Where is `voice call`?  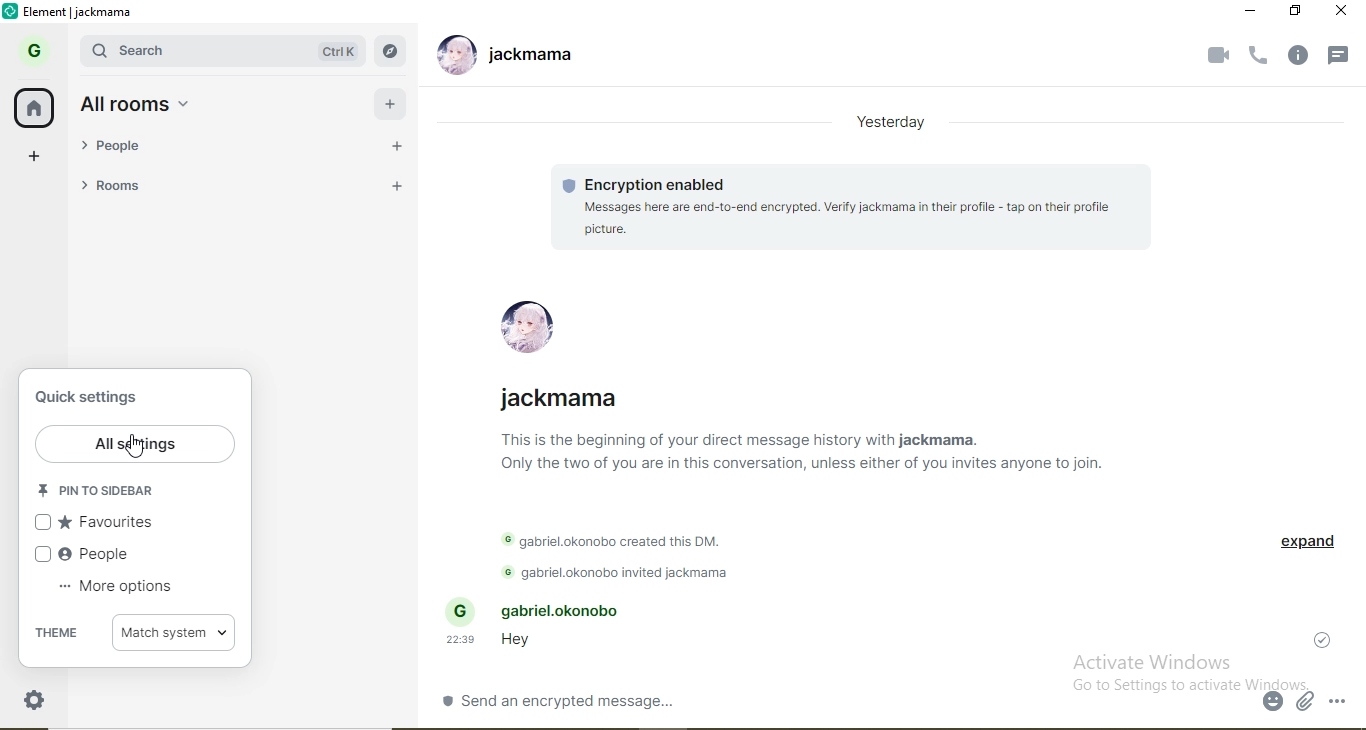 voice call is located at coordinates (1260, 57).